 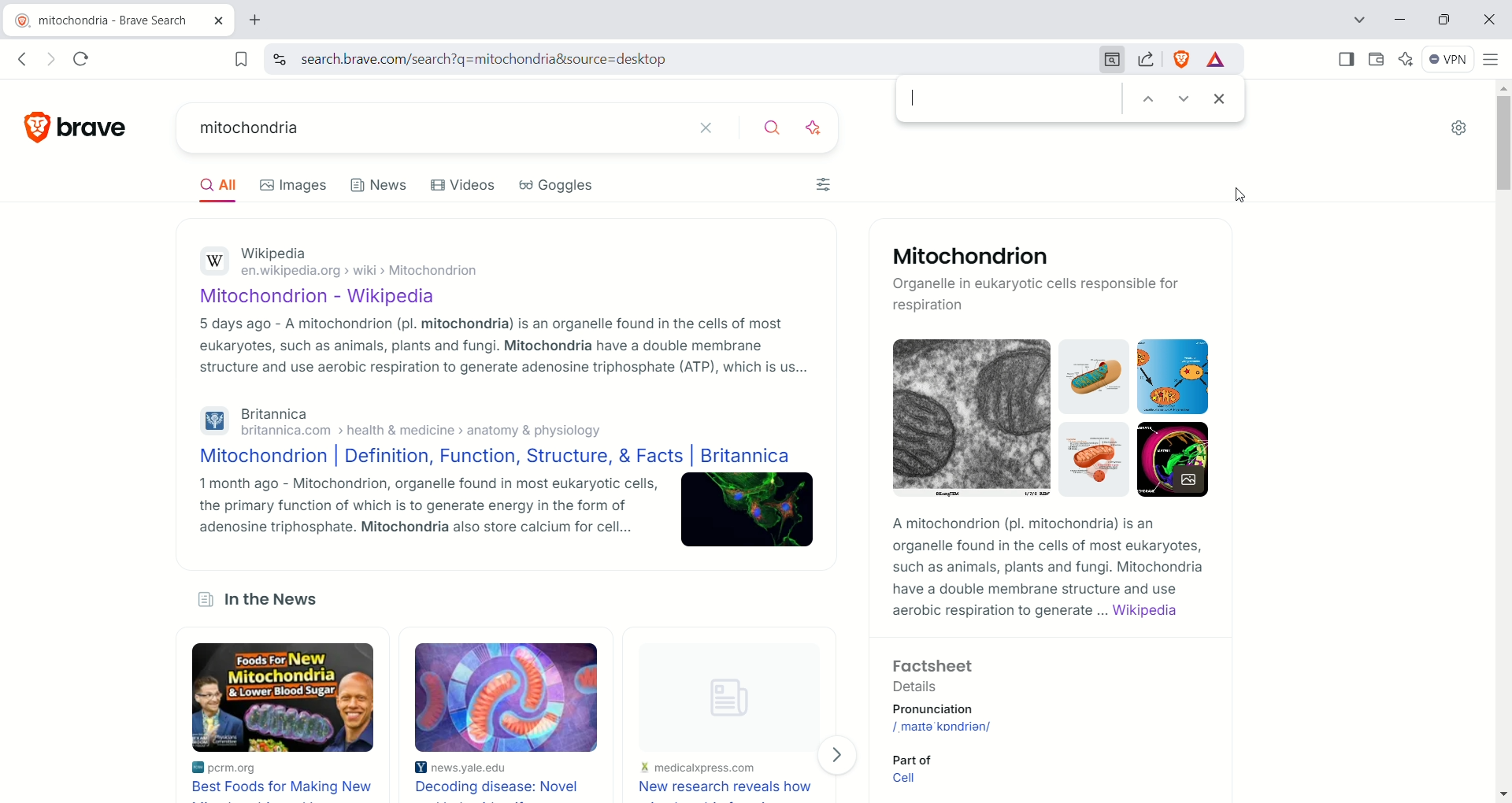 What do you see at coordinates (35, 131) in the screenshot?
I see `brave logo` at bounding box center [35, 131].